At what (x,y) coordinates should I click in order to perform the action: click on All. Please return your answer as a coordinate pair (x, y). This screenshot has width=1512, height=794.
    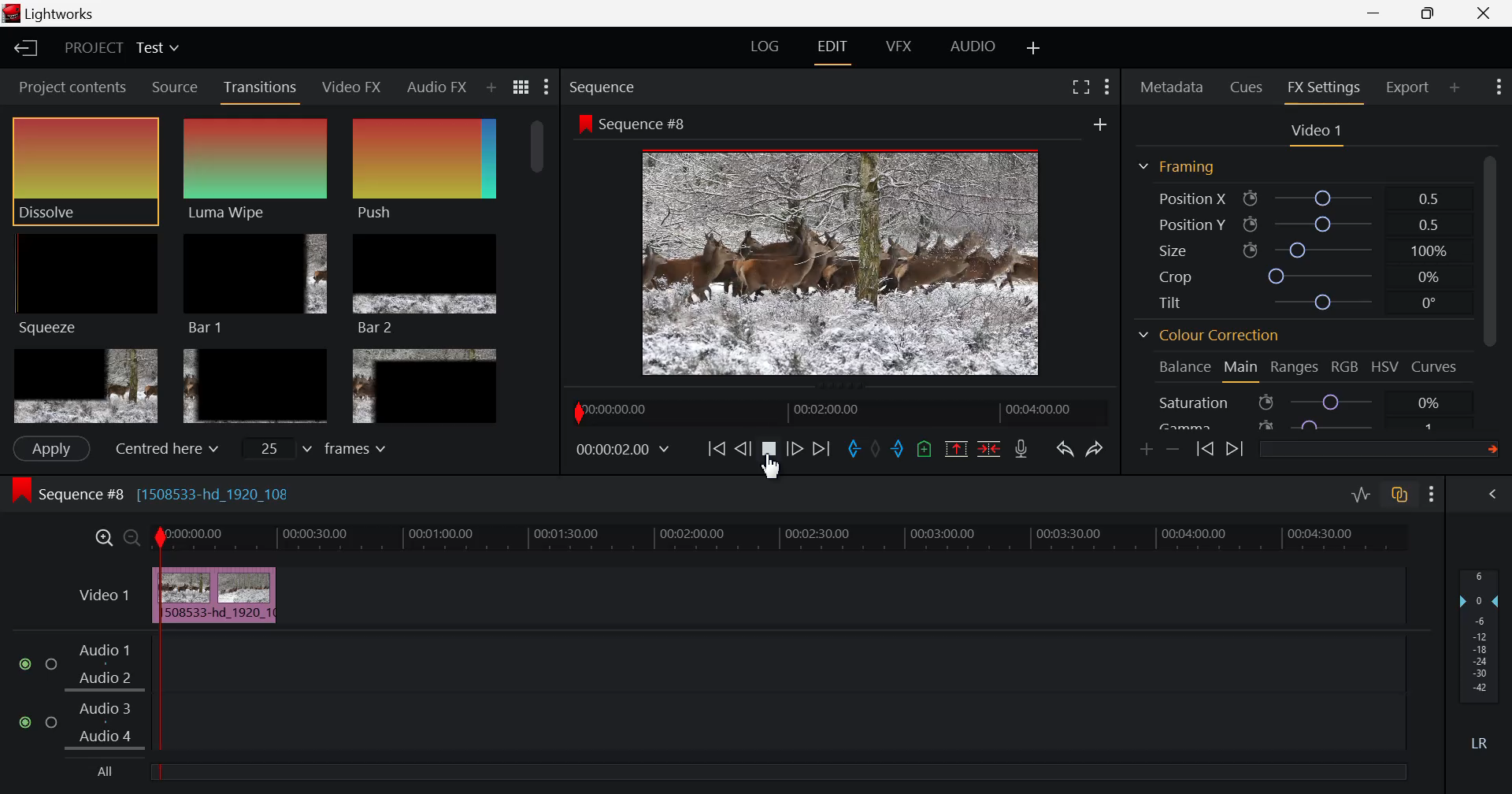
    Looking at the image, I should click on (109, 773).